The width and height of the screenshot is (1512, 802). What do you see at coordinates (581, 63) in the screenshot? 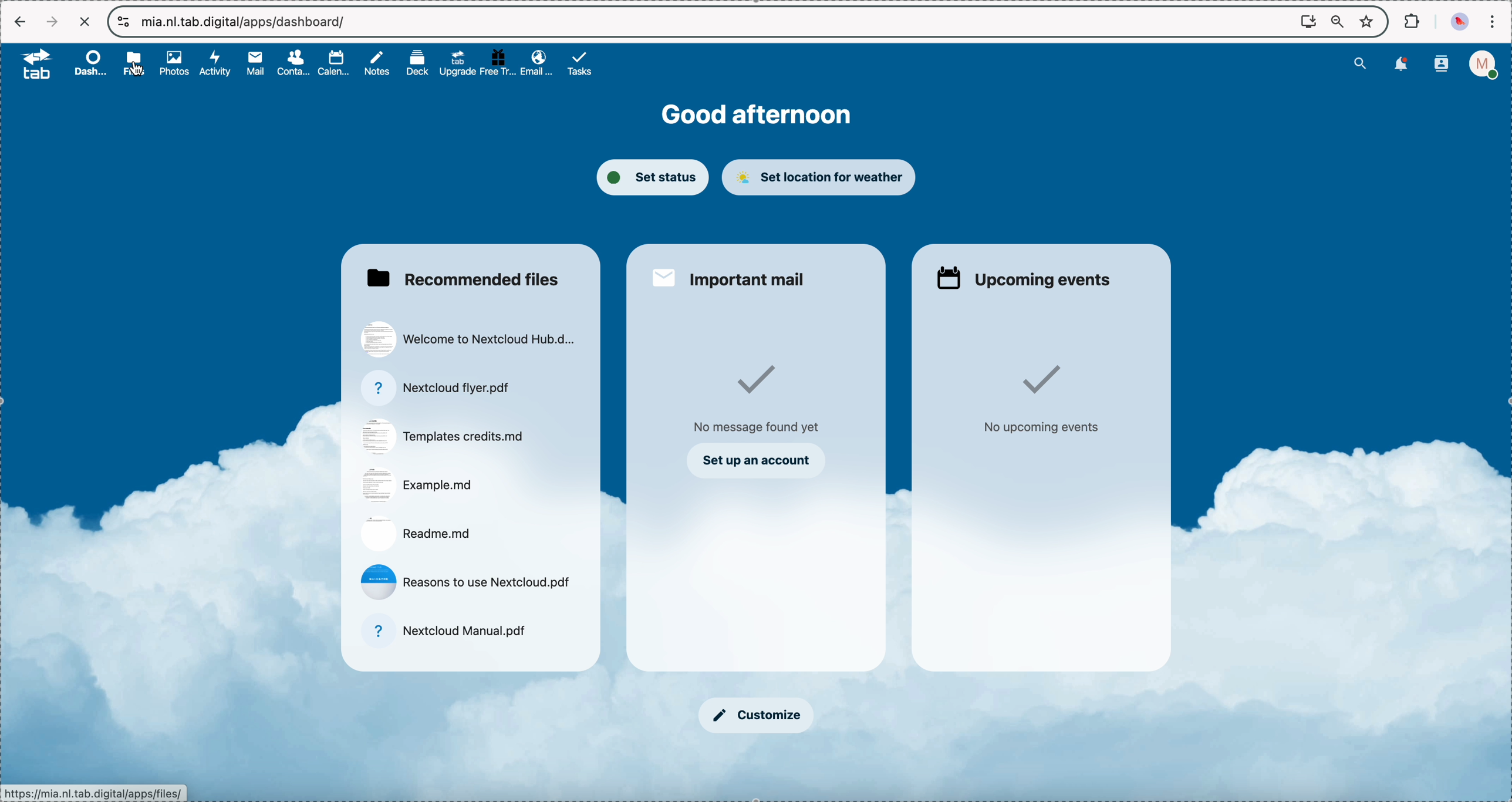
I see `tasks` at bounding box center [581, 63].